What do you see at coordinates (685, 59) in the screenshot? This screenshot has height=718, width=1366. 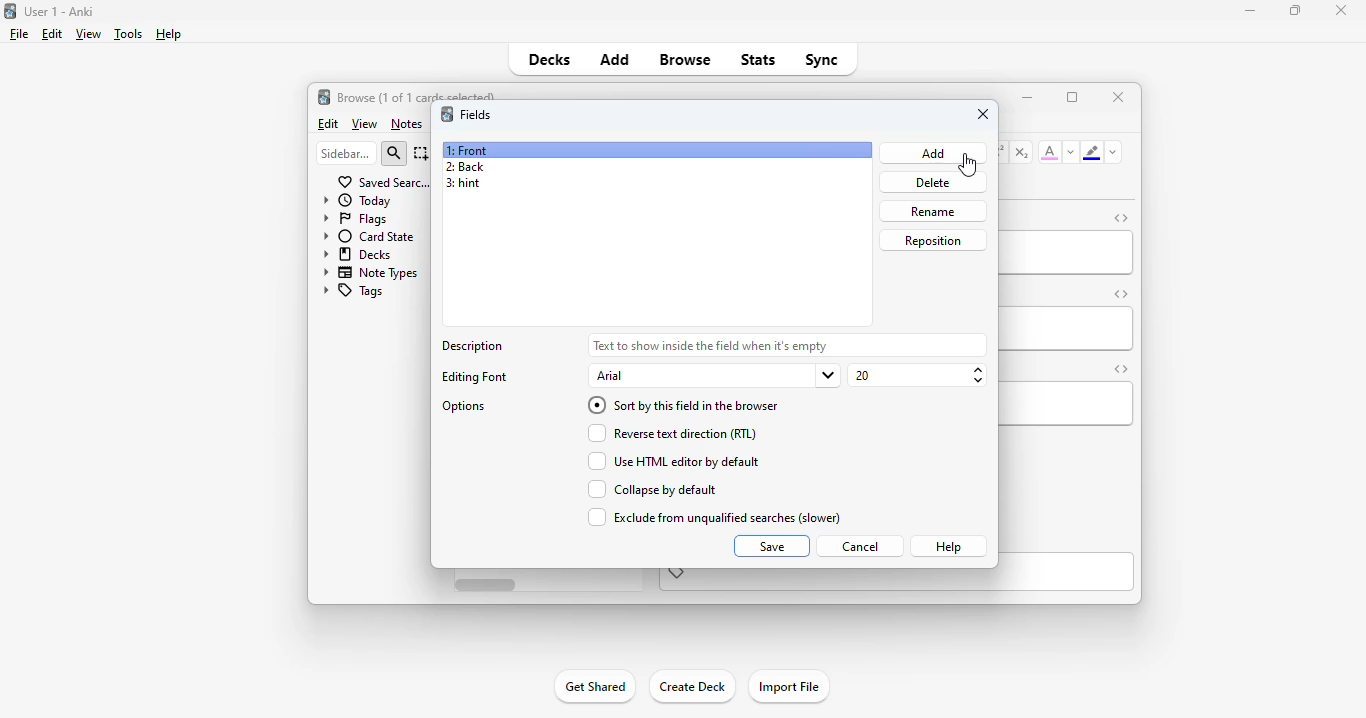 I see `browse` at bounding box center [685, 59].